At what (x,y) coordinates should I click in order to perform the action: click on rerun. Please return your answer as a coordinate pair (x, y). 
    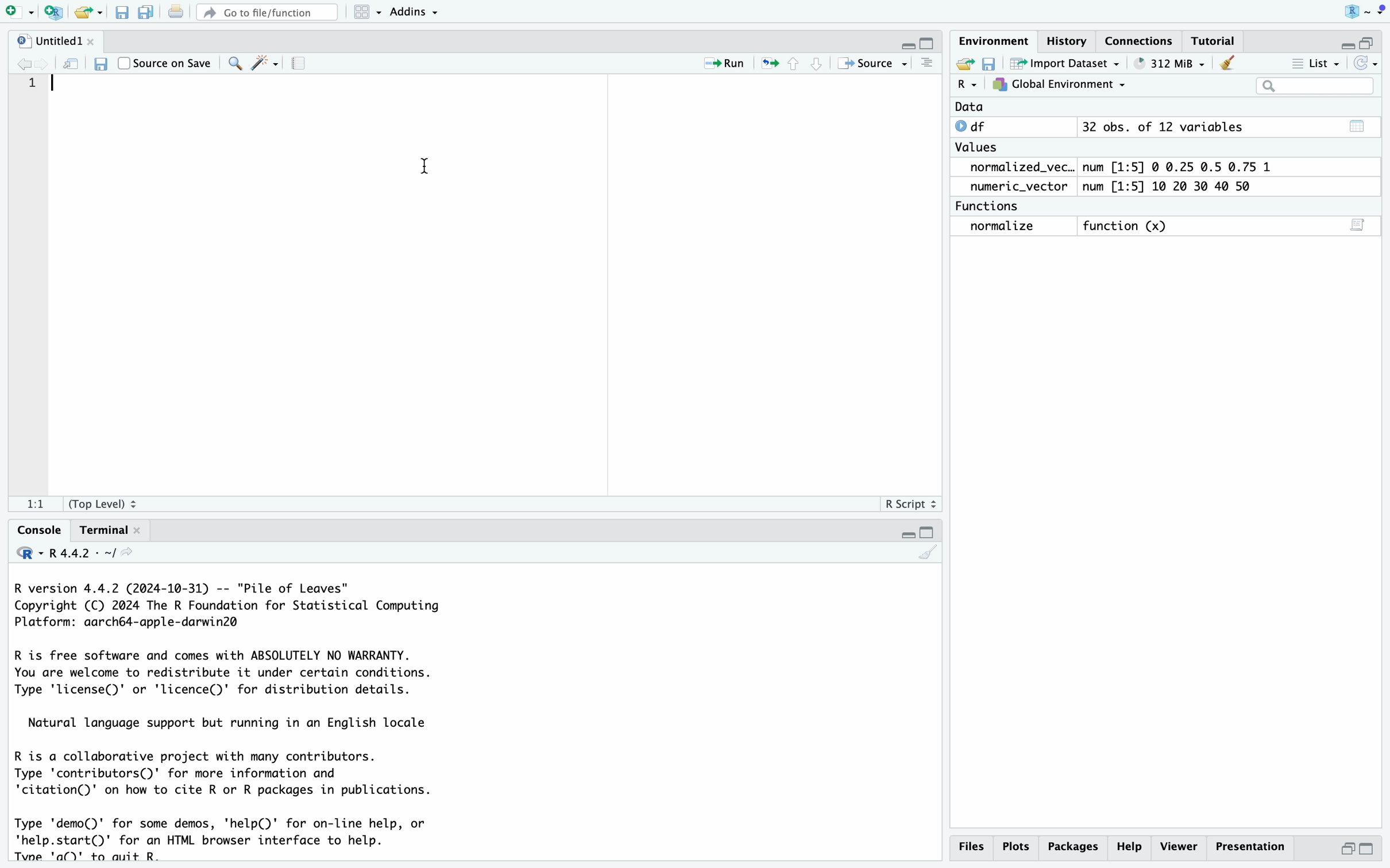
    Looking at the image, I should click on (771, 64).